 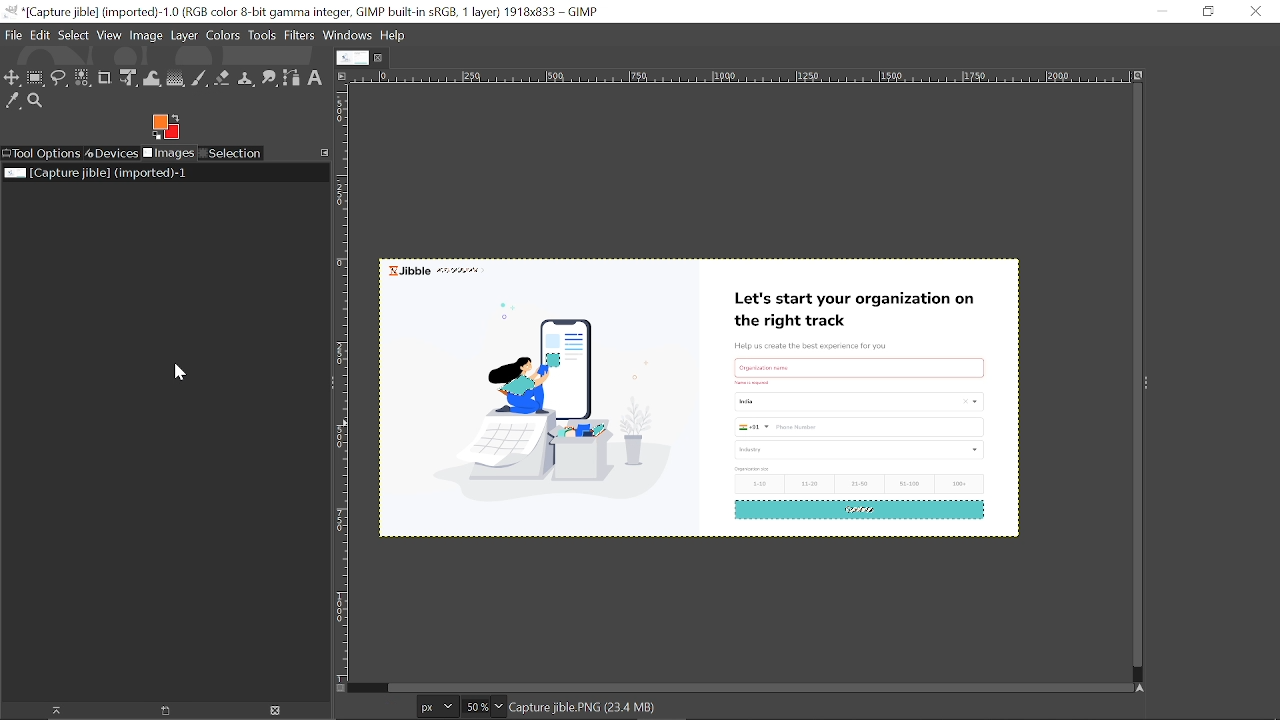 I want to click on Unit of the current image, so click(x=438, y=706).